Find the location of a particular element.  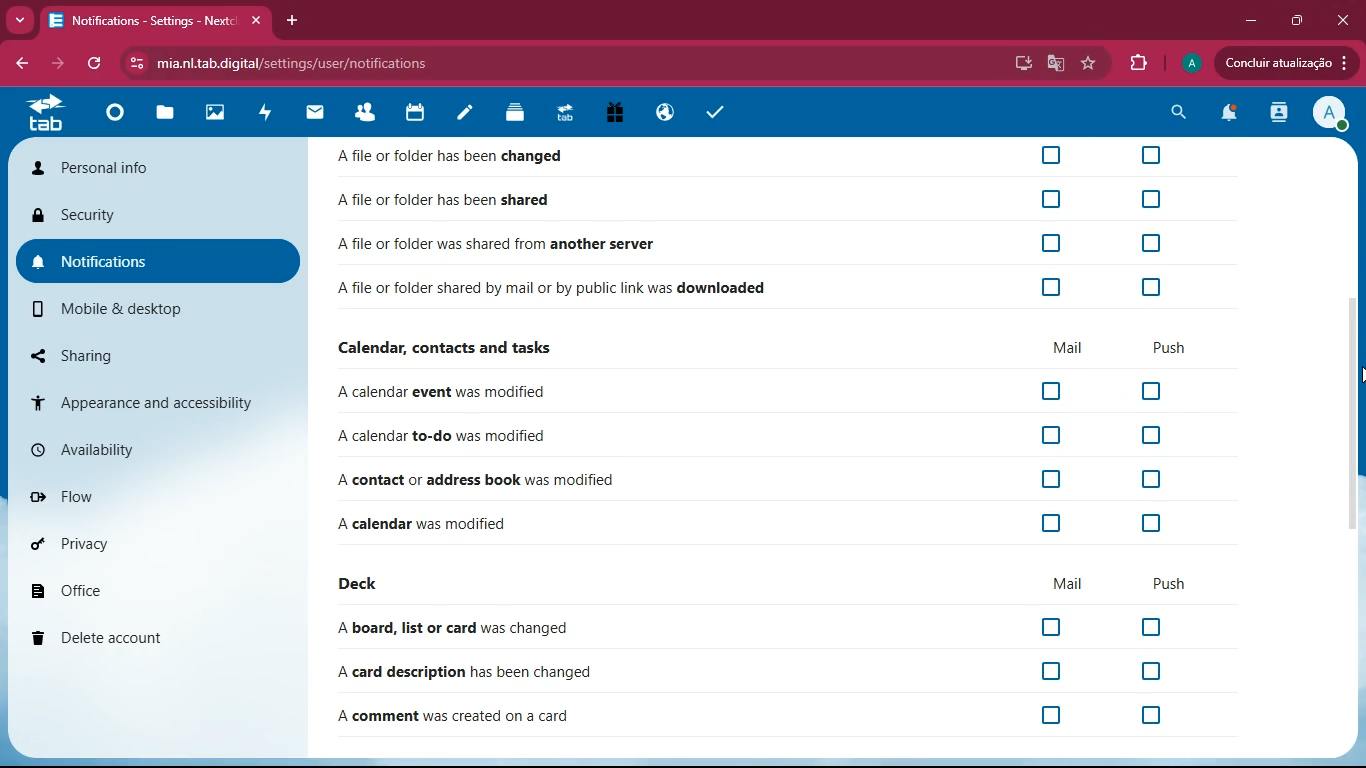

View site information is located at coordinates (138, 65).